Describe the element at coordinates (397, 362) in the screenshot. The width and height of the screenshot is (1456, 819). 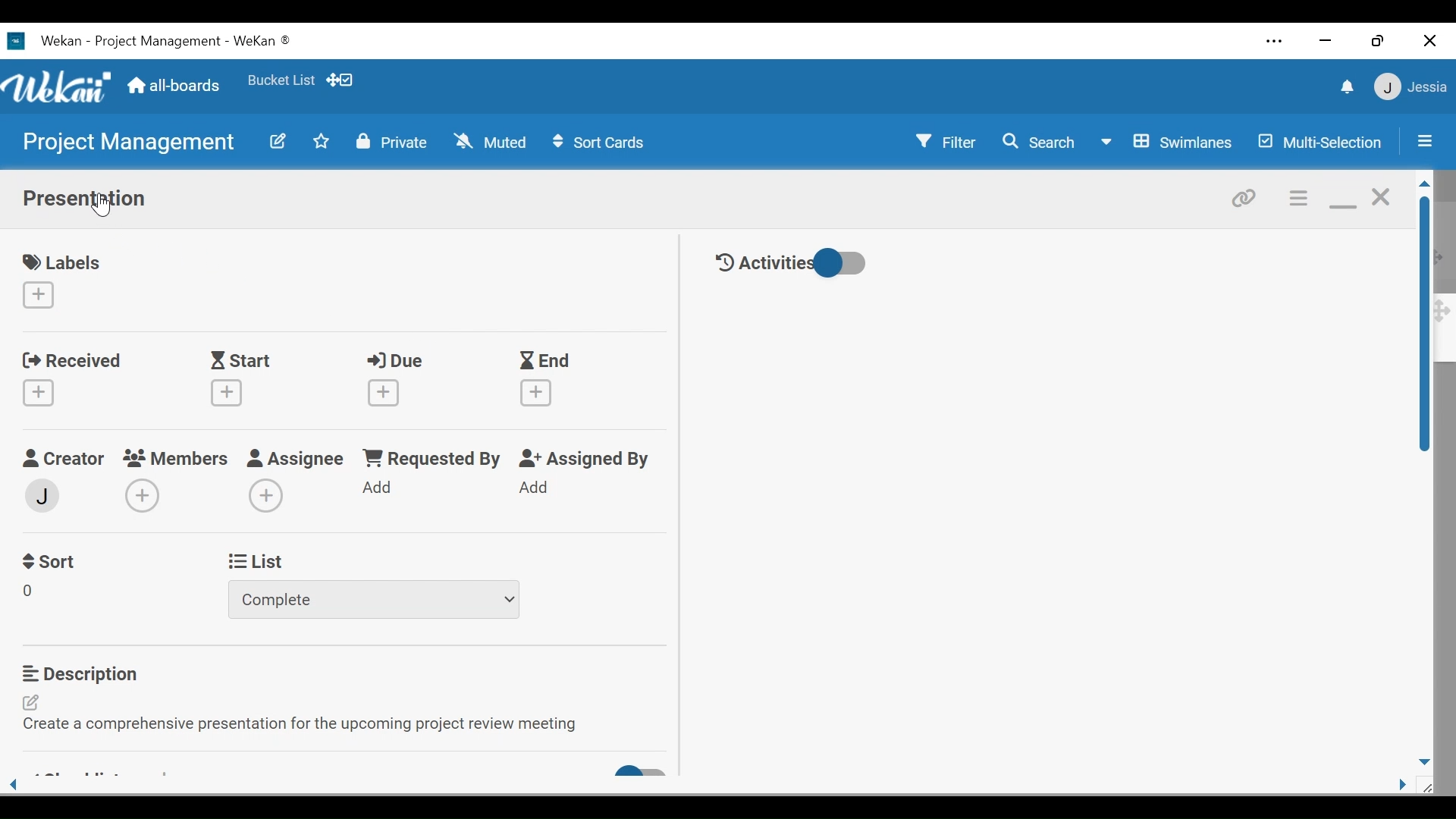
I see `Due Date` at that location.